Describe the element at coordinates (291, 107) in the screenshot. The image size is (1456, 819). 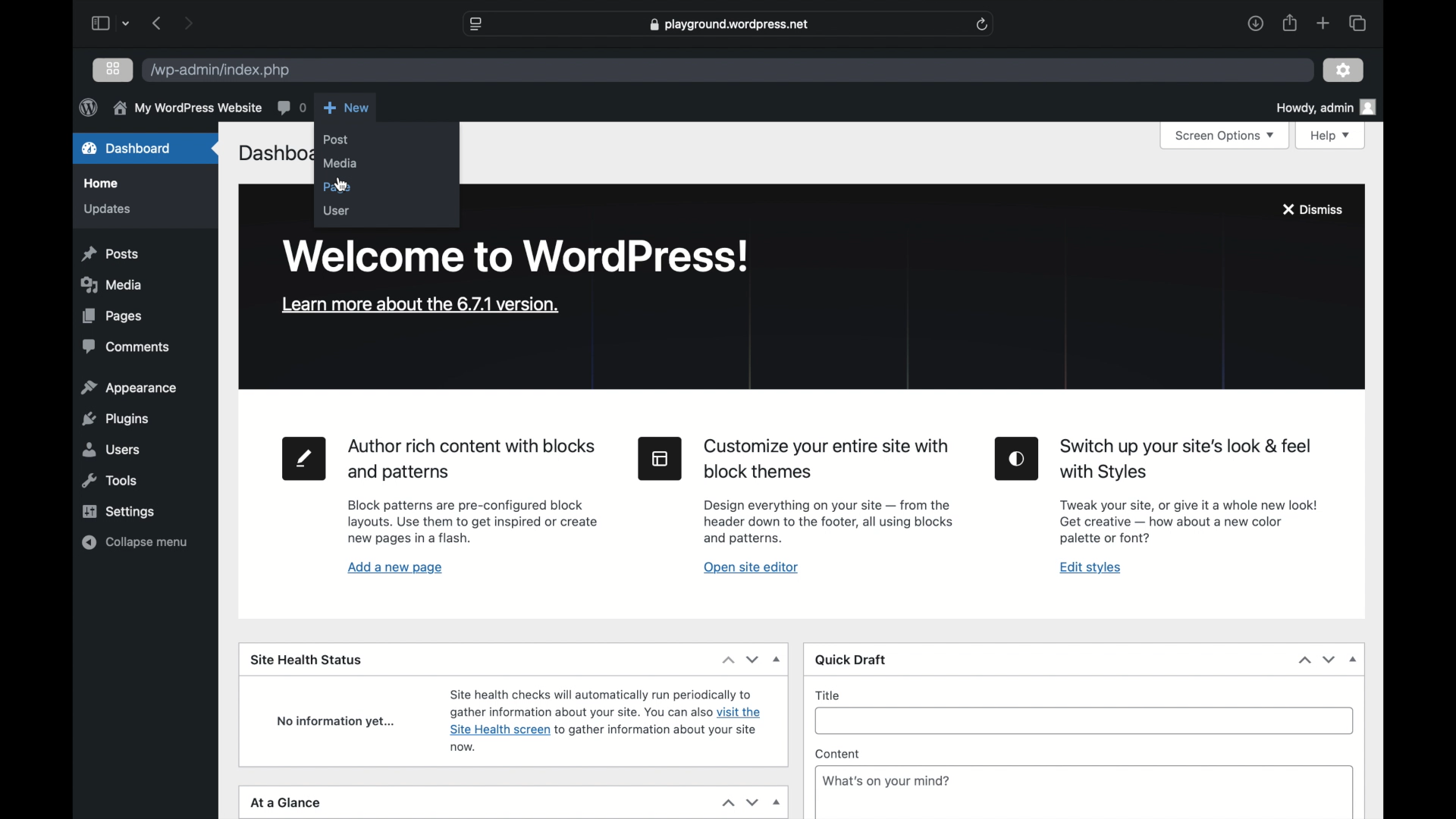
I see `comments` at that location.